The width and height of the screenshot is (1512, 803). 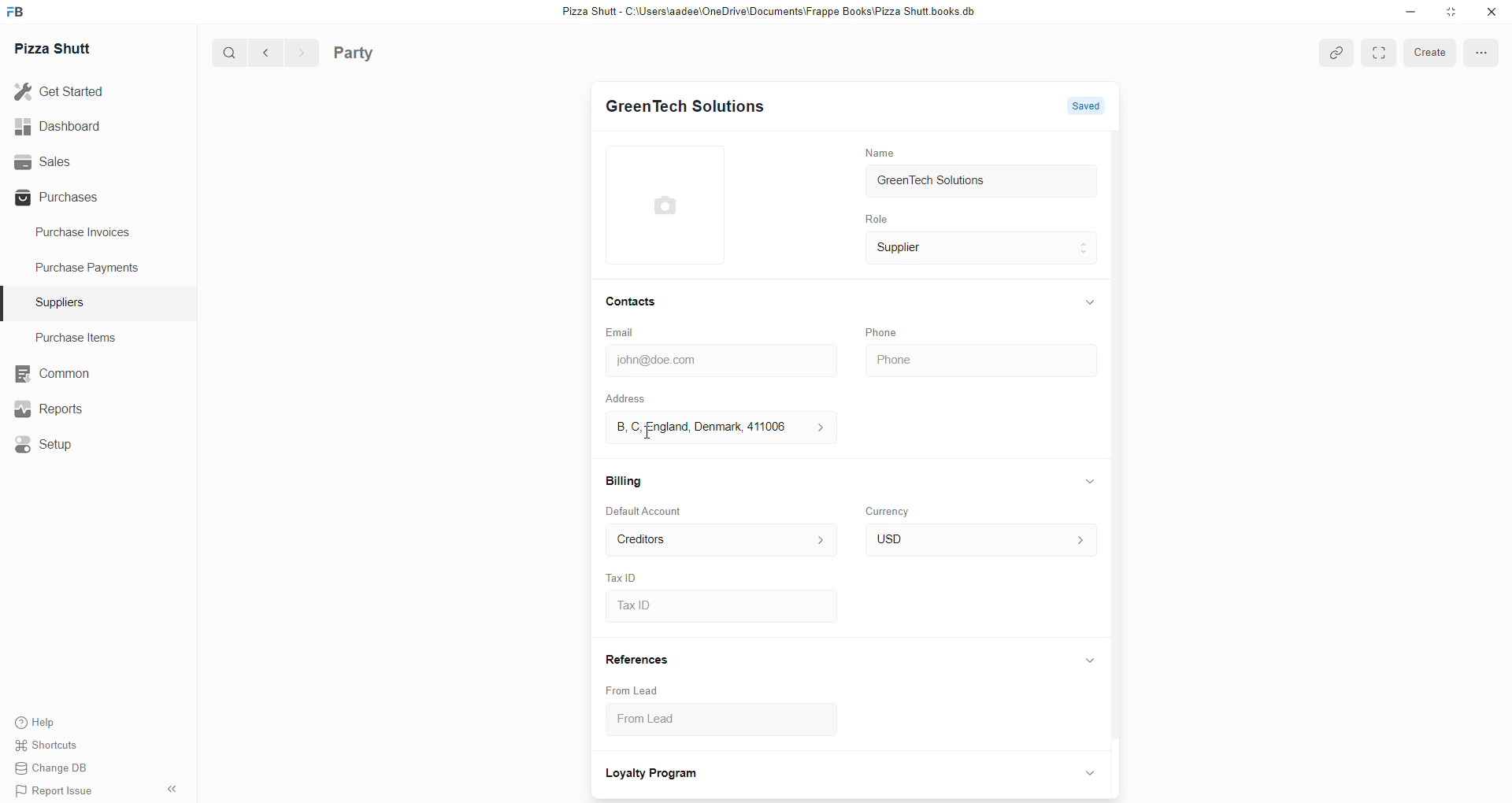 What do you see at coordinates (1334, 53) in the screenshot?
I see `link` at bounding box center [1334, 53].